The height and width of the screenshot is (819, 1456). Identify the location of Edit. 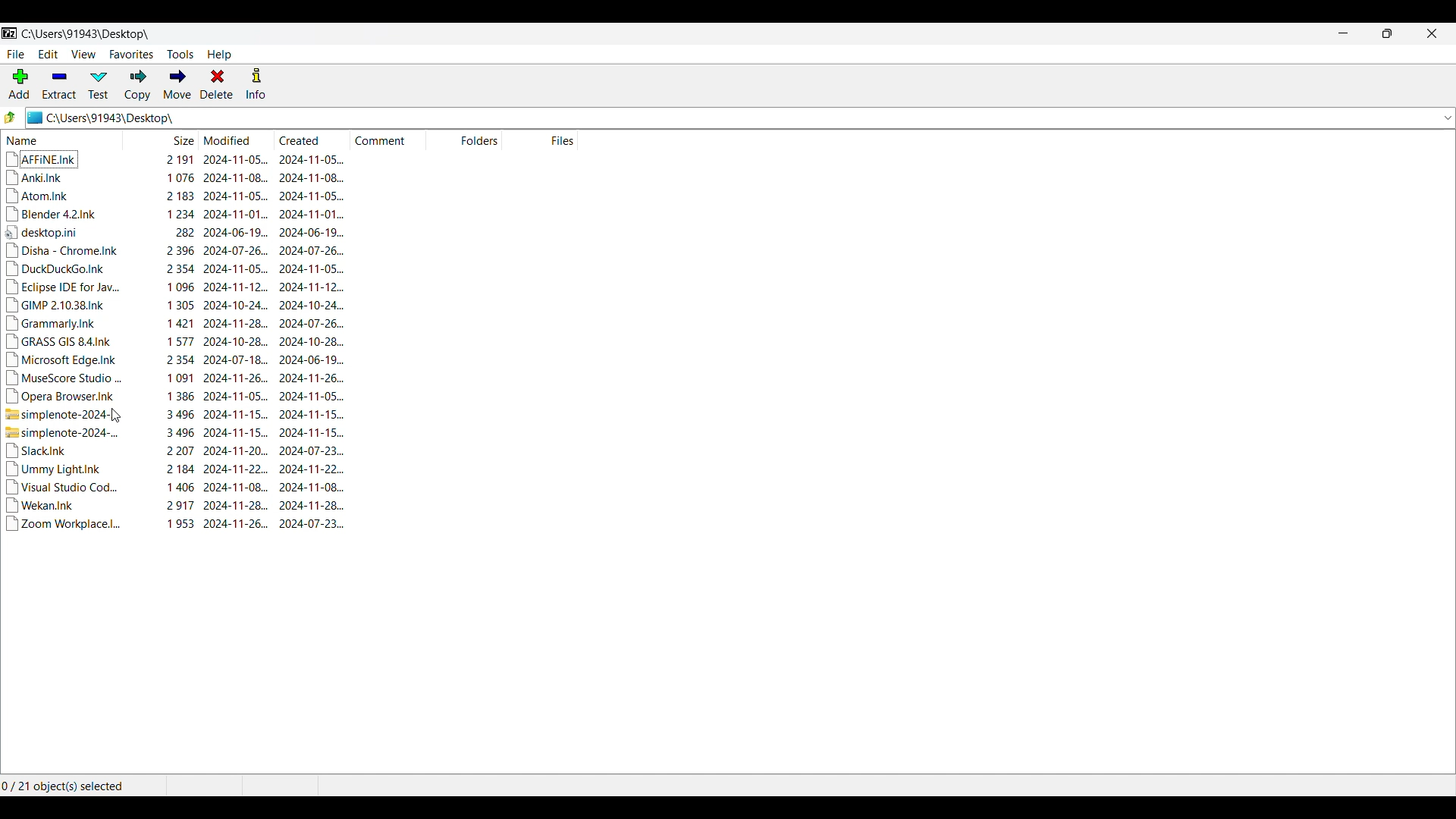
(48, 54).